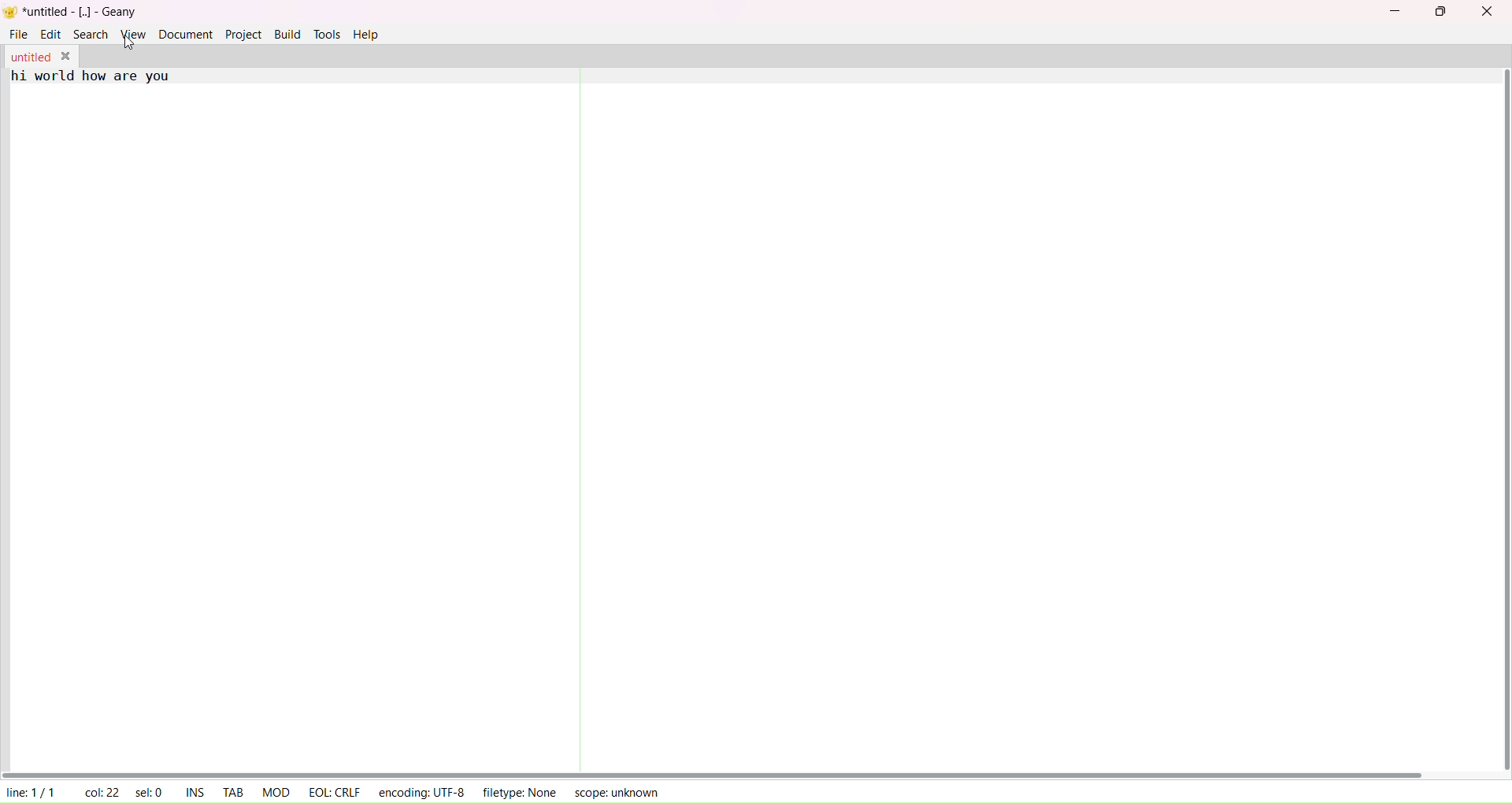 This screenshot has width=1512, height=803. Describe the element at coordinates (90, 34) in the screenshot. I see `search` at that location.